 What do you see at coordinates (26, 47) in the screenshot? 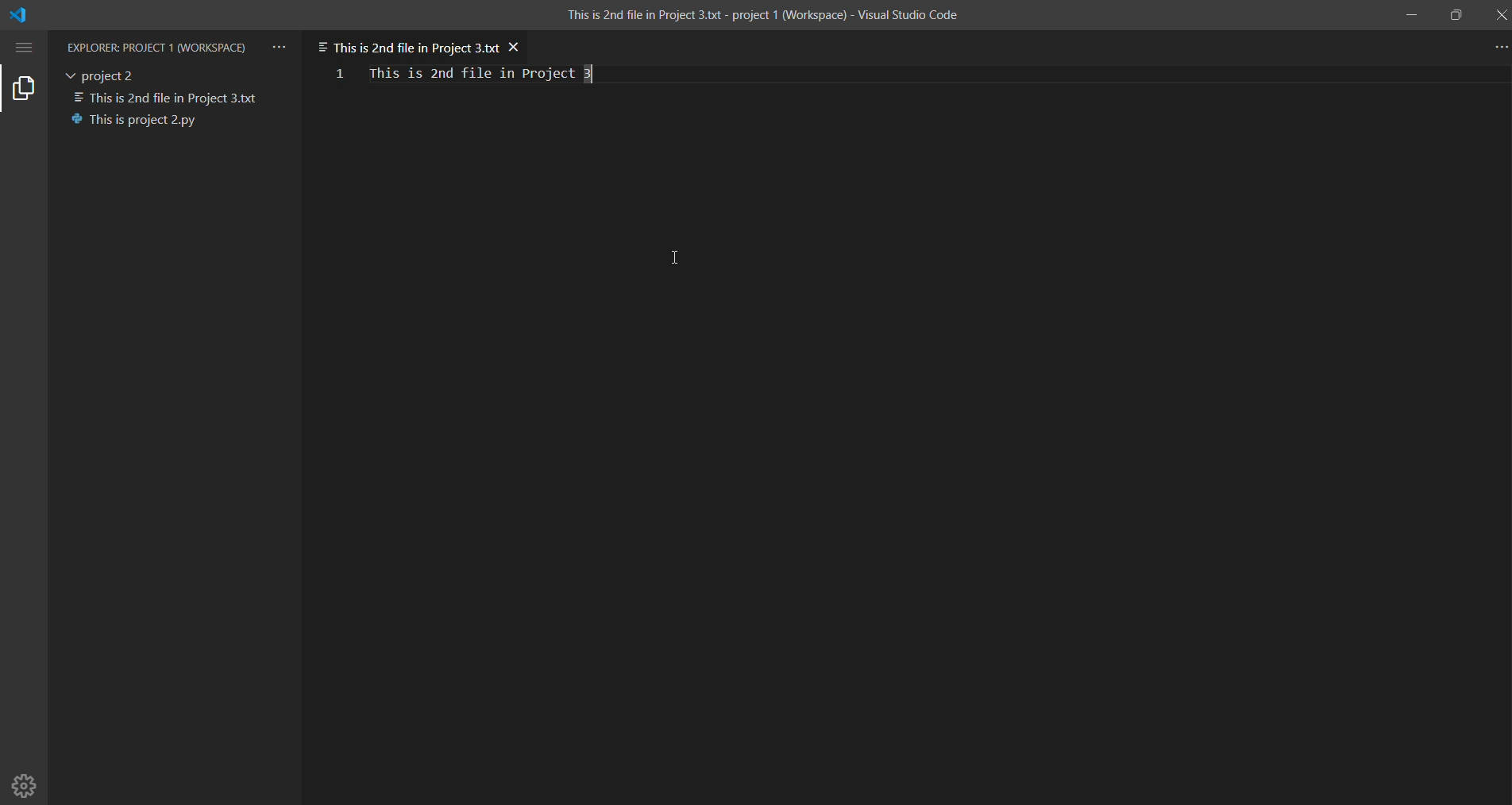
I see `Menu options` at bounding box center [26, 47].